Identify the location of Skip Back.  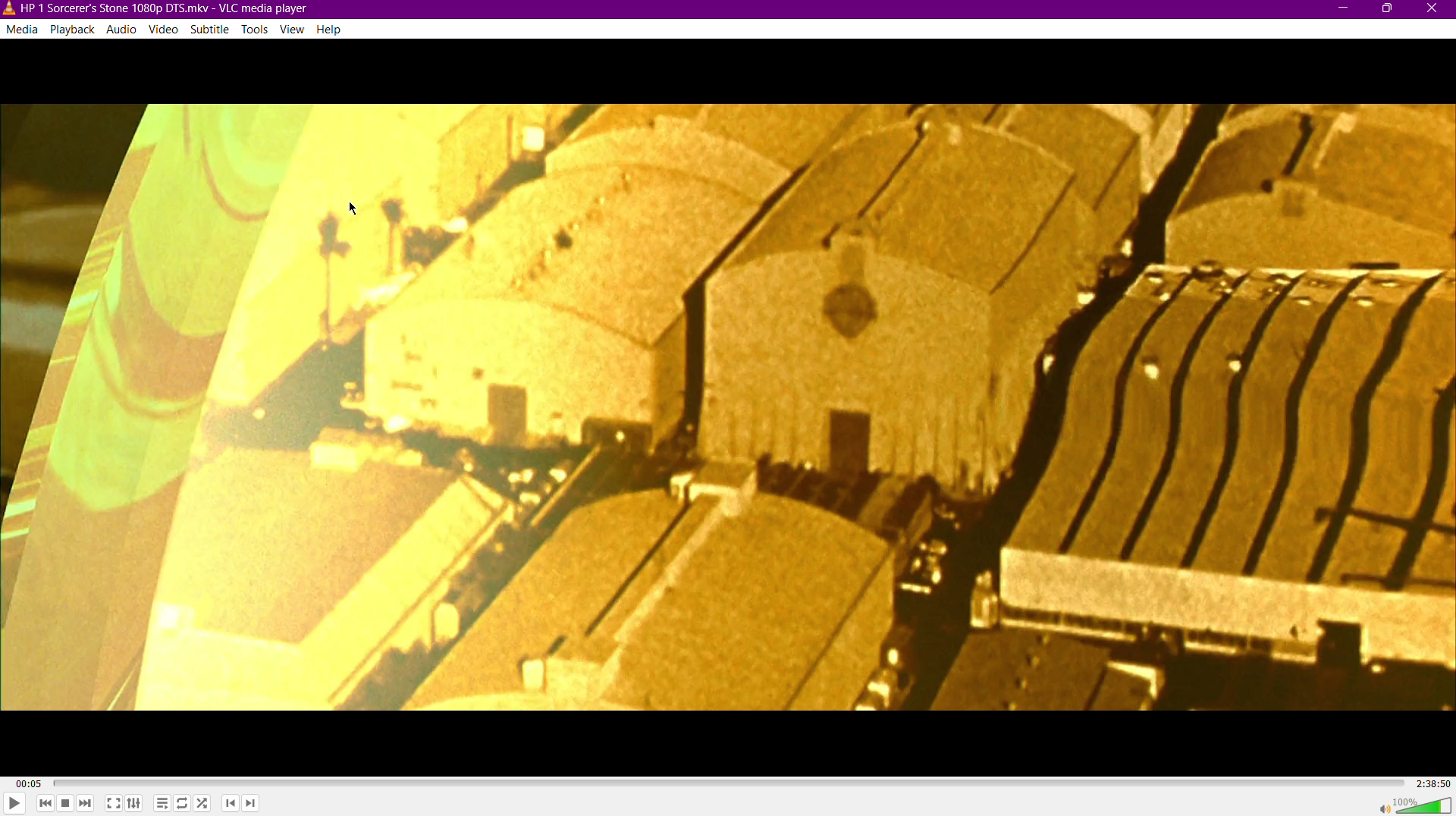
(44, 804).